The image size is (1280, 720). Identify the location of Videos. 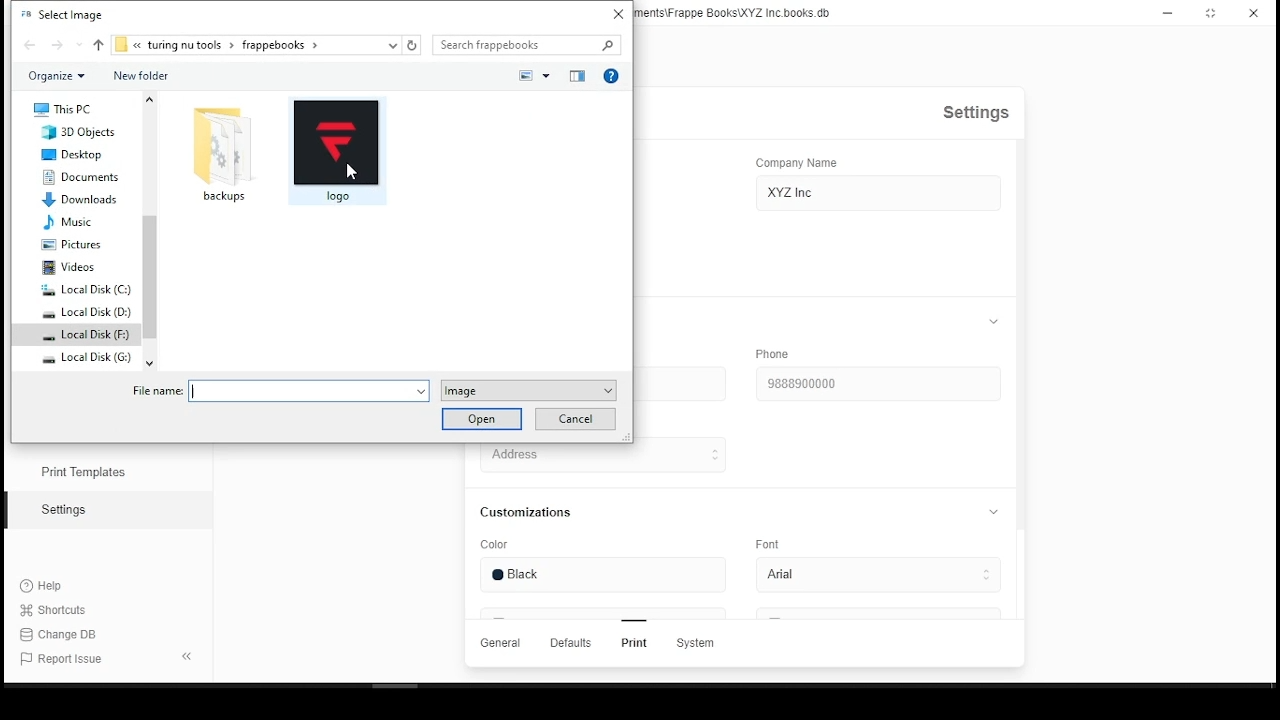
(68, 267).